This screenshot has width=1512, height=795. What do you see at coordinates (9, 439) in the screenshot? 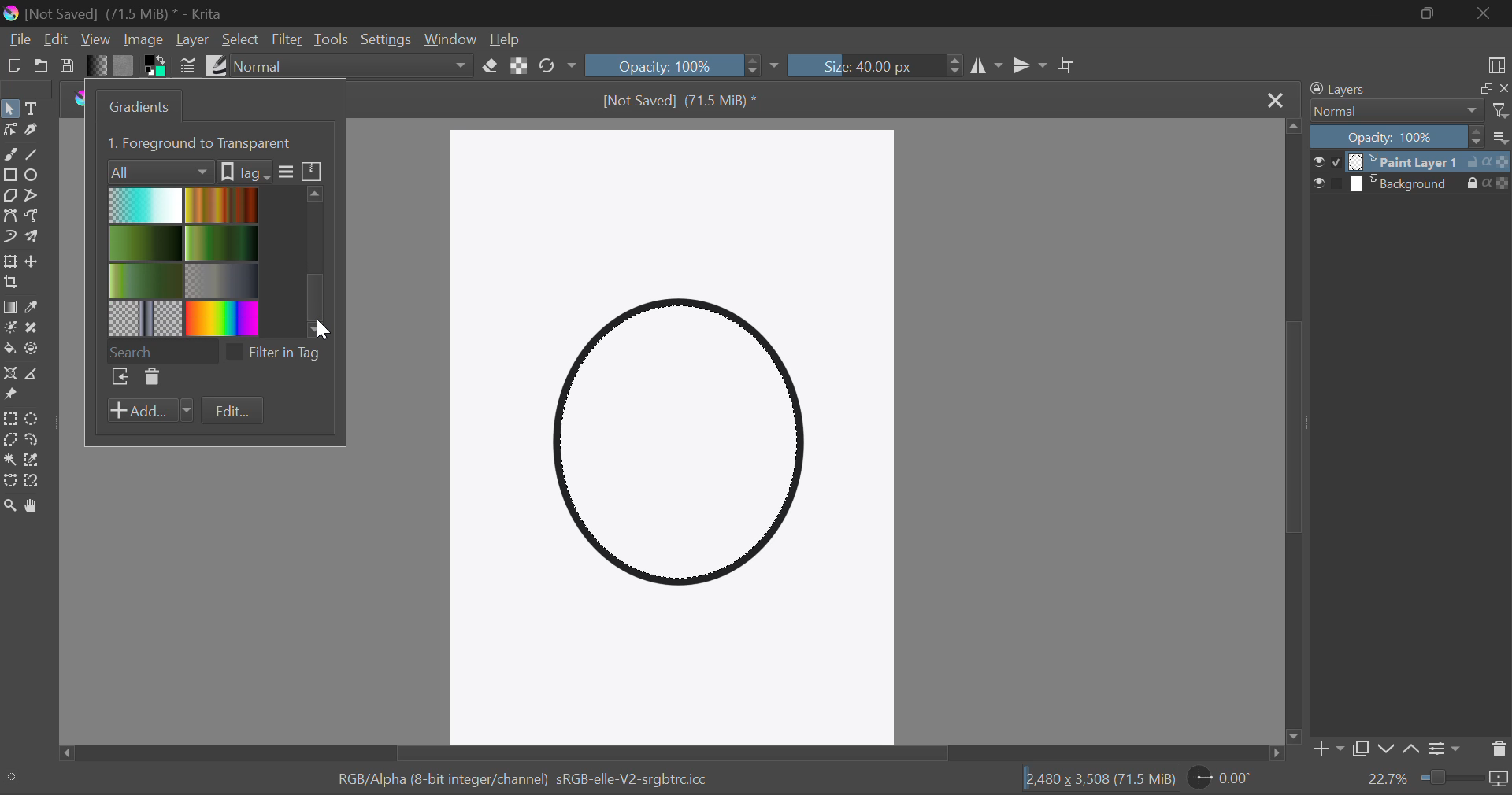
I see `Polygon Selection Tool` at bounding box center [9, 439].